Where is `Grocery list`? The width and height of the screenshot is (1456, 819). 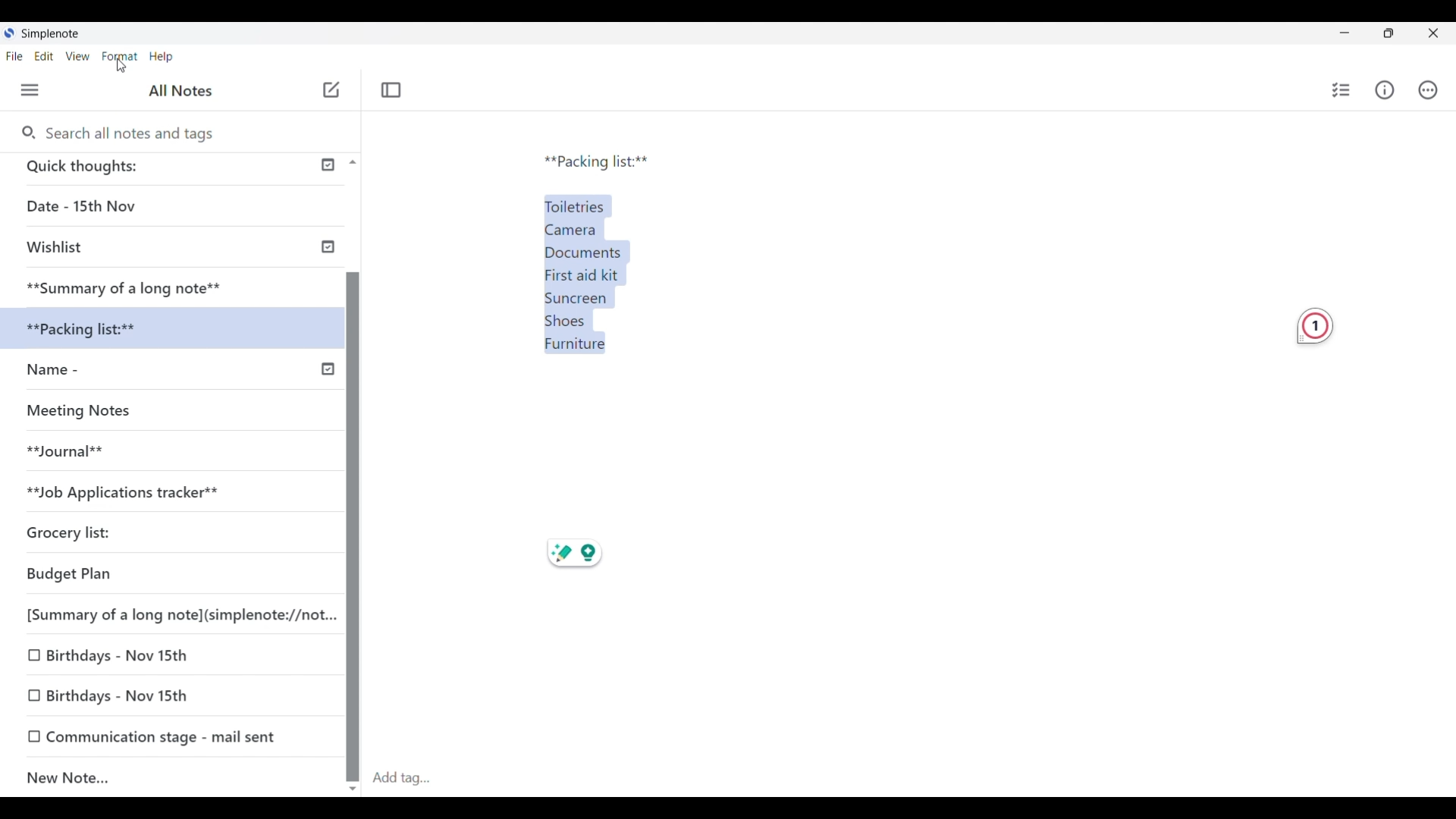
Grocery list is located at coordinates (133, 529).